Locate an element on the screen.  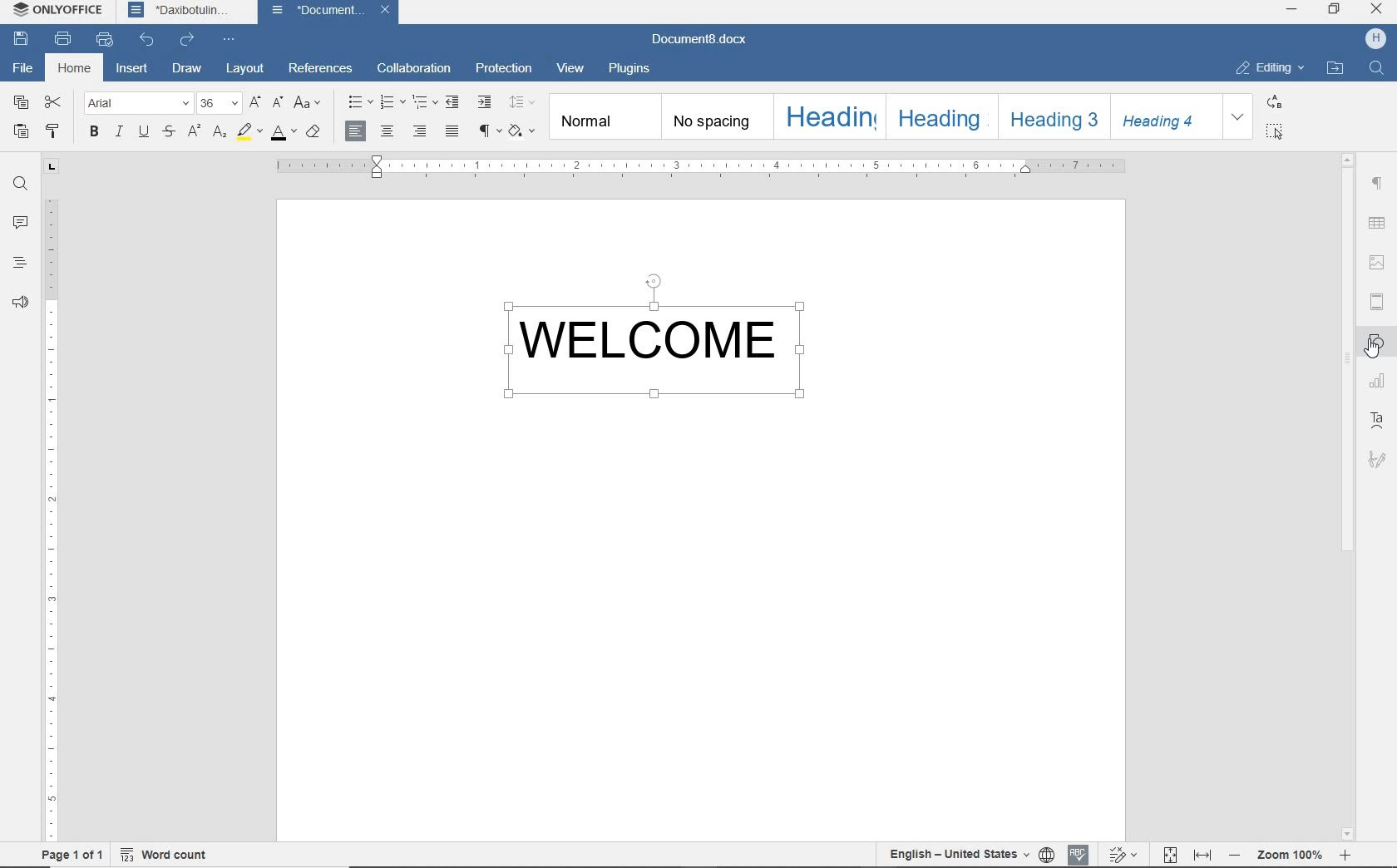
MULTILEVEL LIST is located at coordinates (423, 103).